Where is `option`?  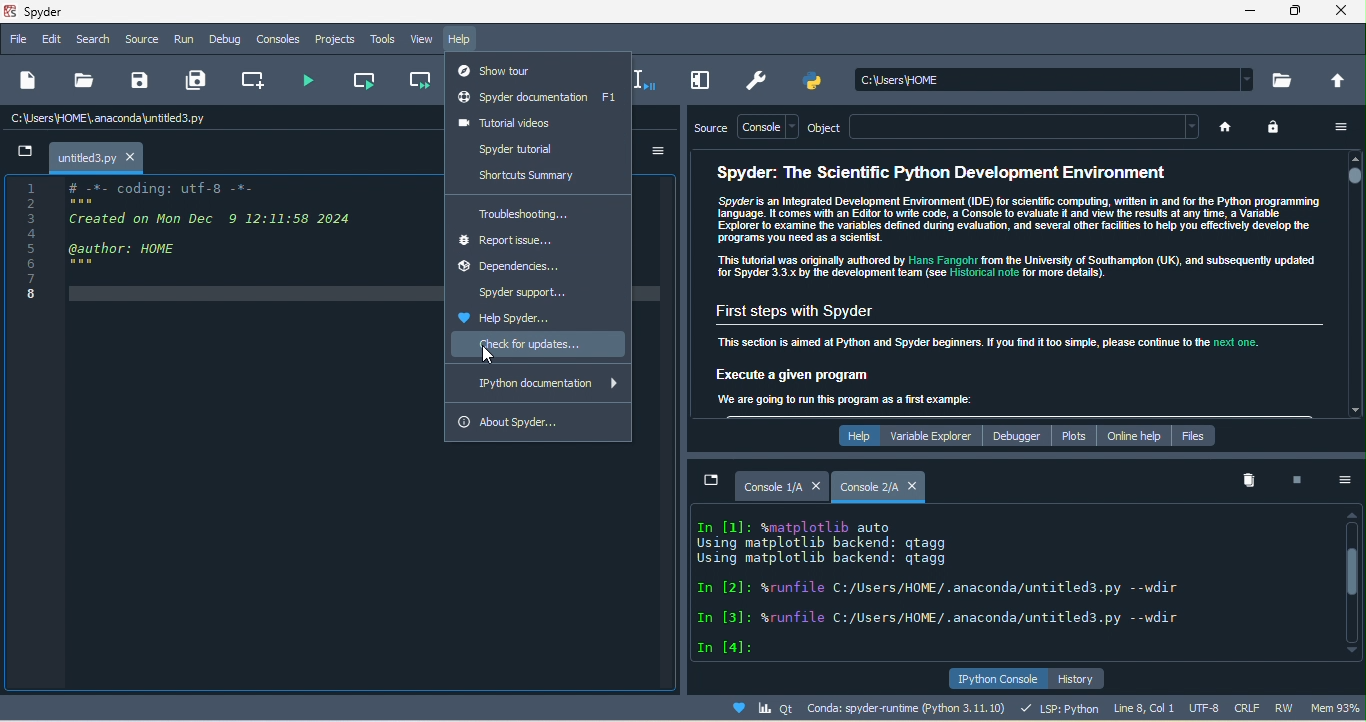 option is located at coordinates (652, 152).